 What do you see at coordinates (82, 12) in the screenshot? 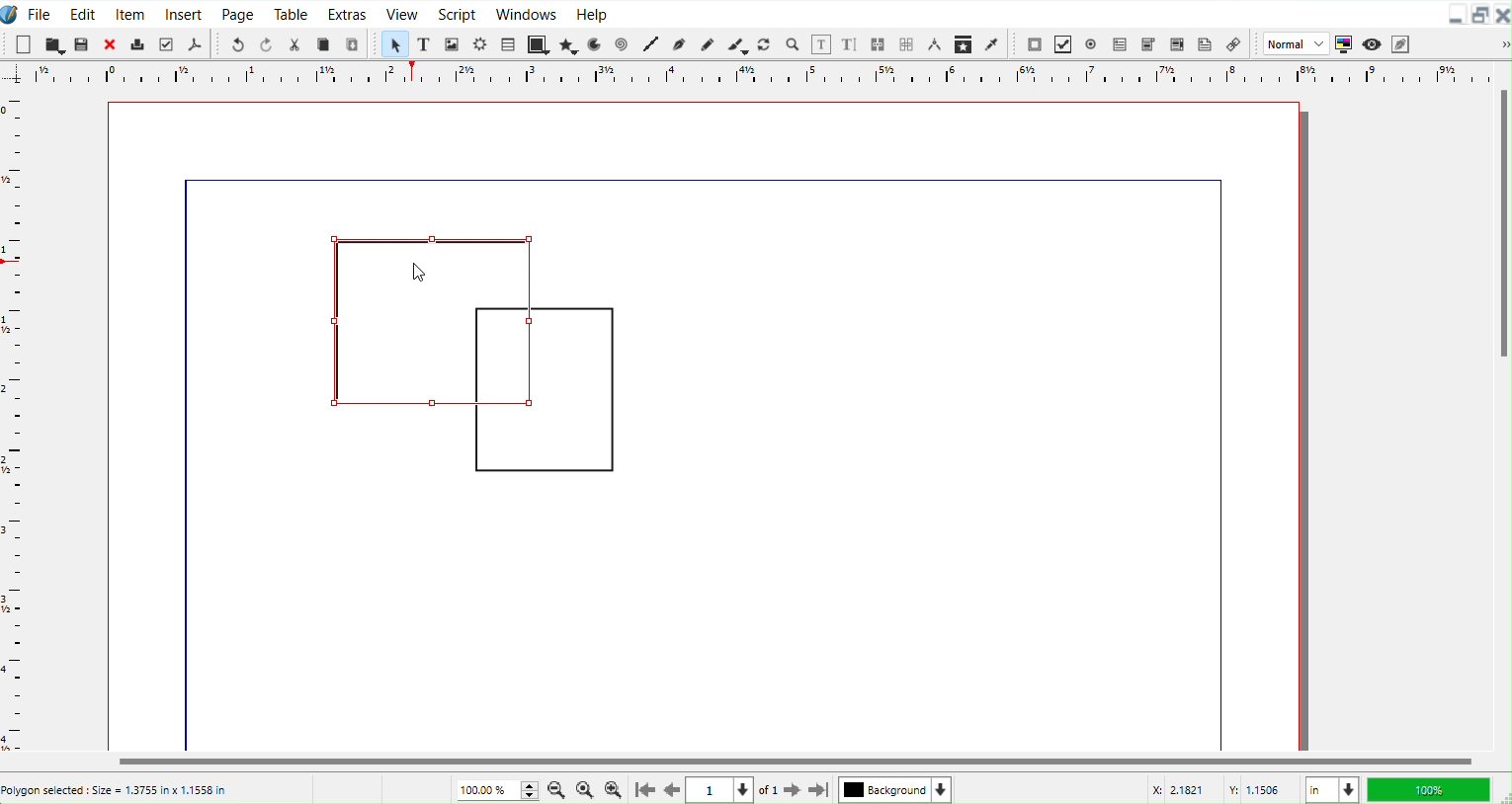
I see `Edit` at bounding box center [82, 12].